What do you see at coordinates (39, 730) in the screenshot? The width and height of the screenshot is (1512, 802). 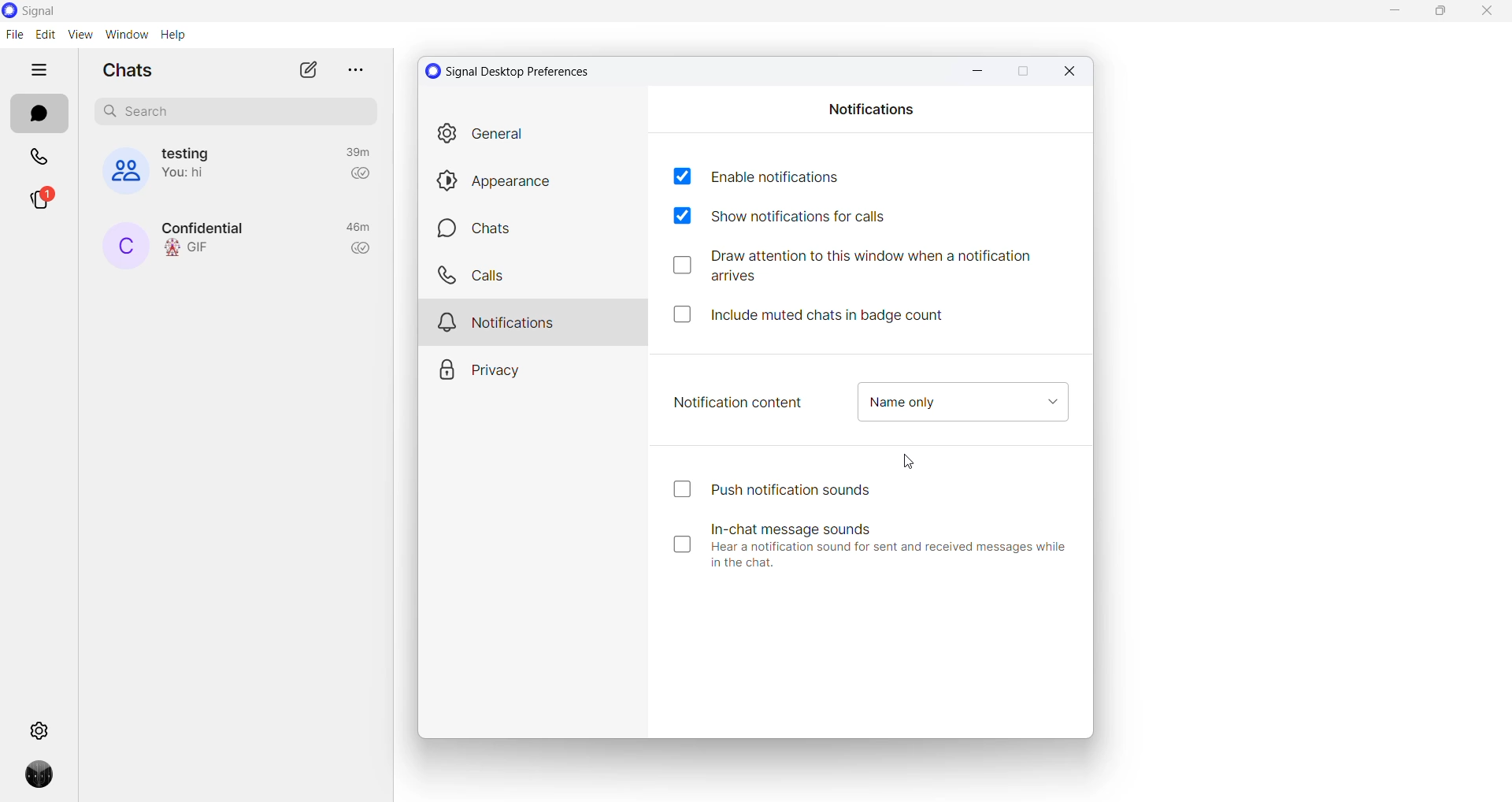 I see `settings` at bounding box center [39, 730].